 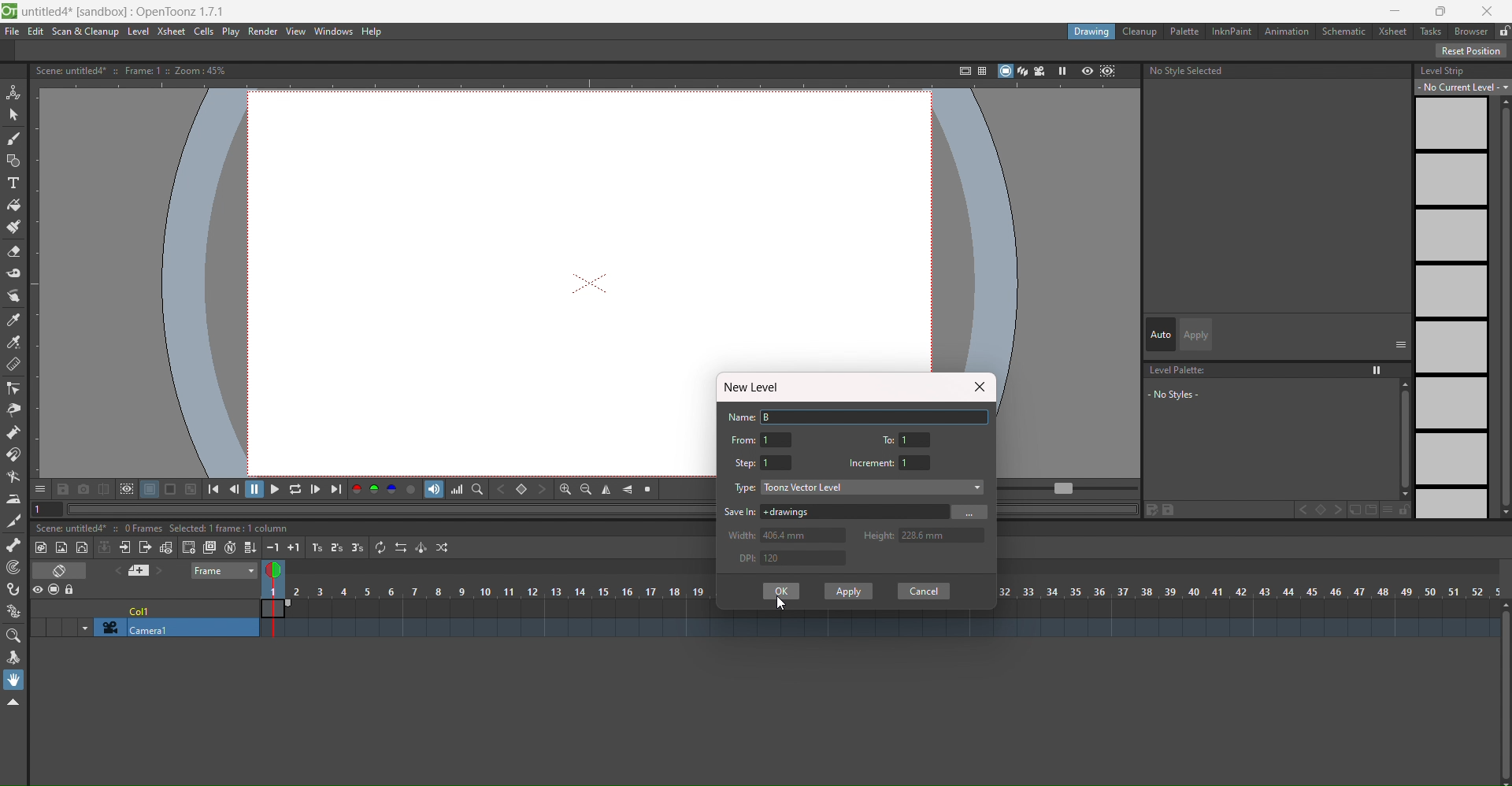 What do you see at coordinates (1443, 11) in the screenshot?
I see `Maximise` at bounding box center [1443, 11].